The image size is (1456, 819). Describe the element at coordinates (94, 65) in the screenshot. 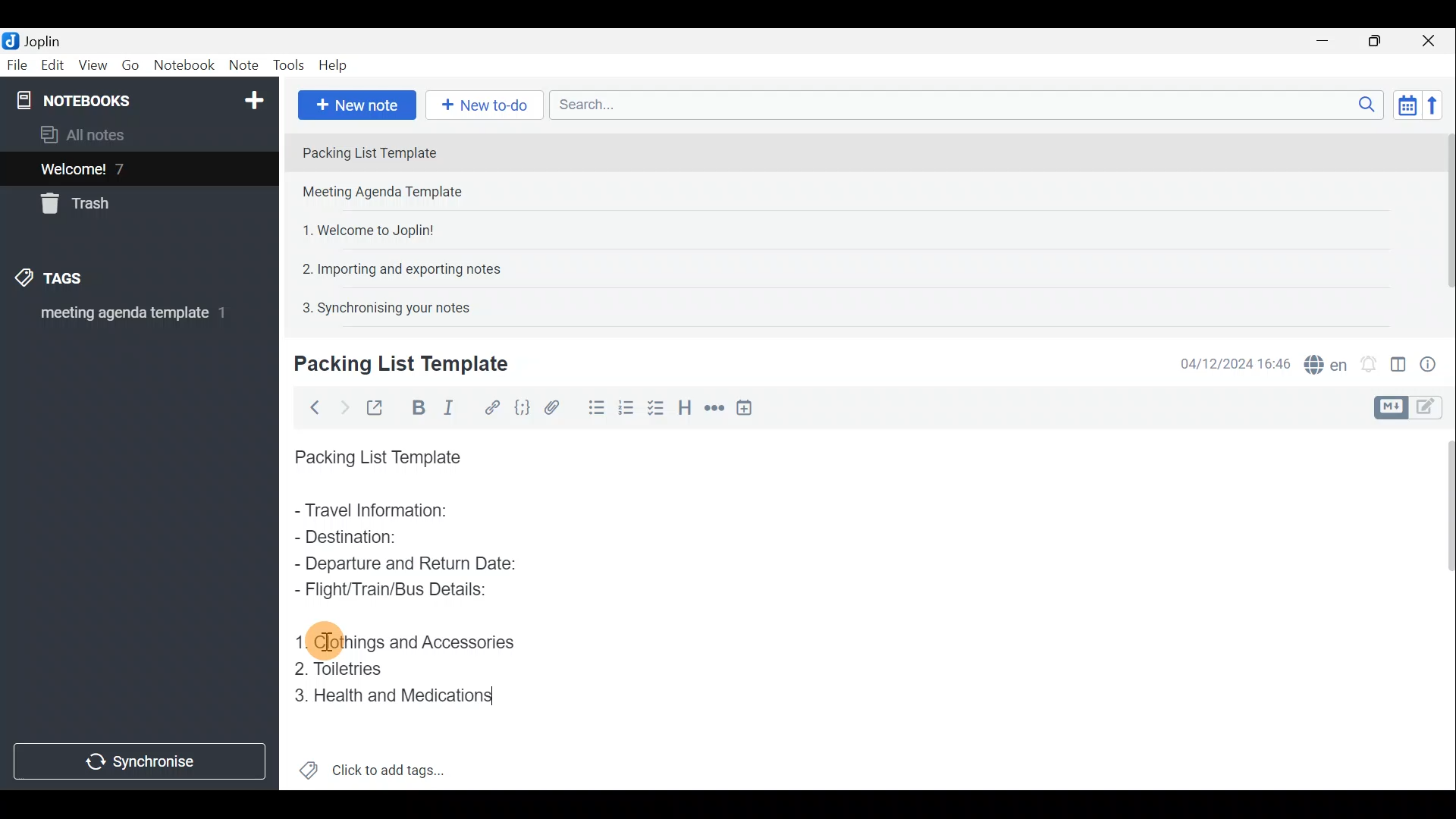

I see `View` at that location.